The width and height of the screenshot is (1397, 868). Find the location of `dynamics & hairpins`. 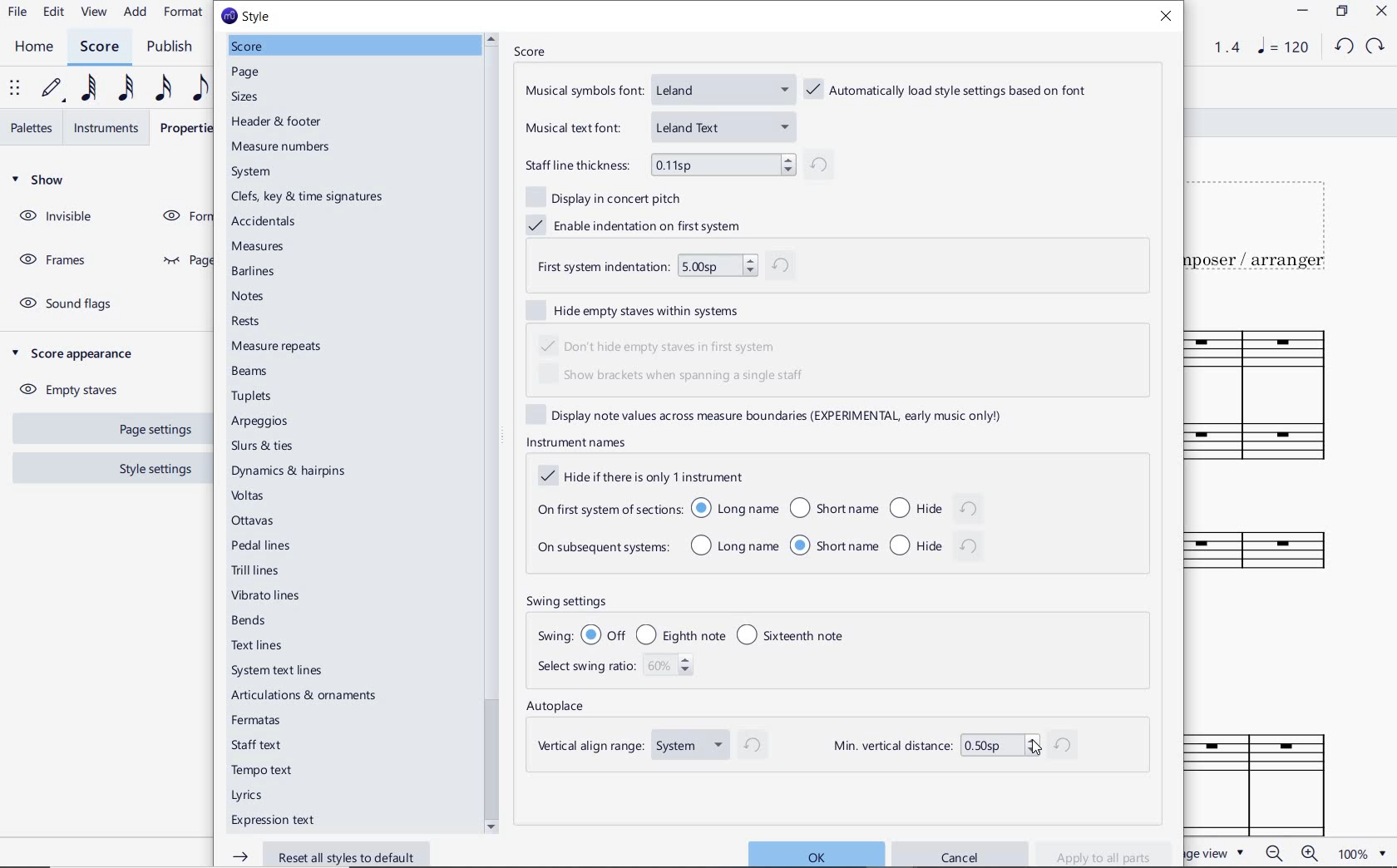

dynamics & hairpins is located at coordinates (293, 472).